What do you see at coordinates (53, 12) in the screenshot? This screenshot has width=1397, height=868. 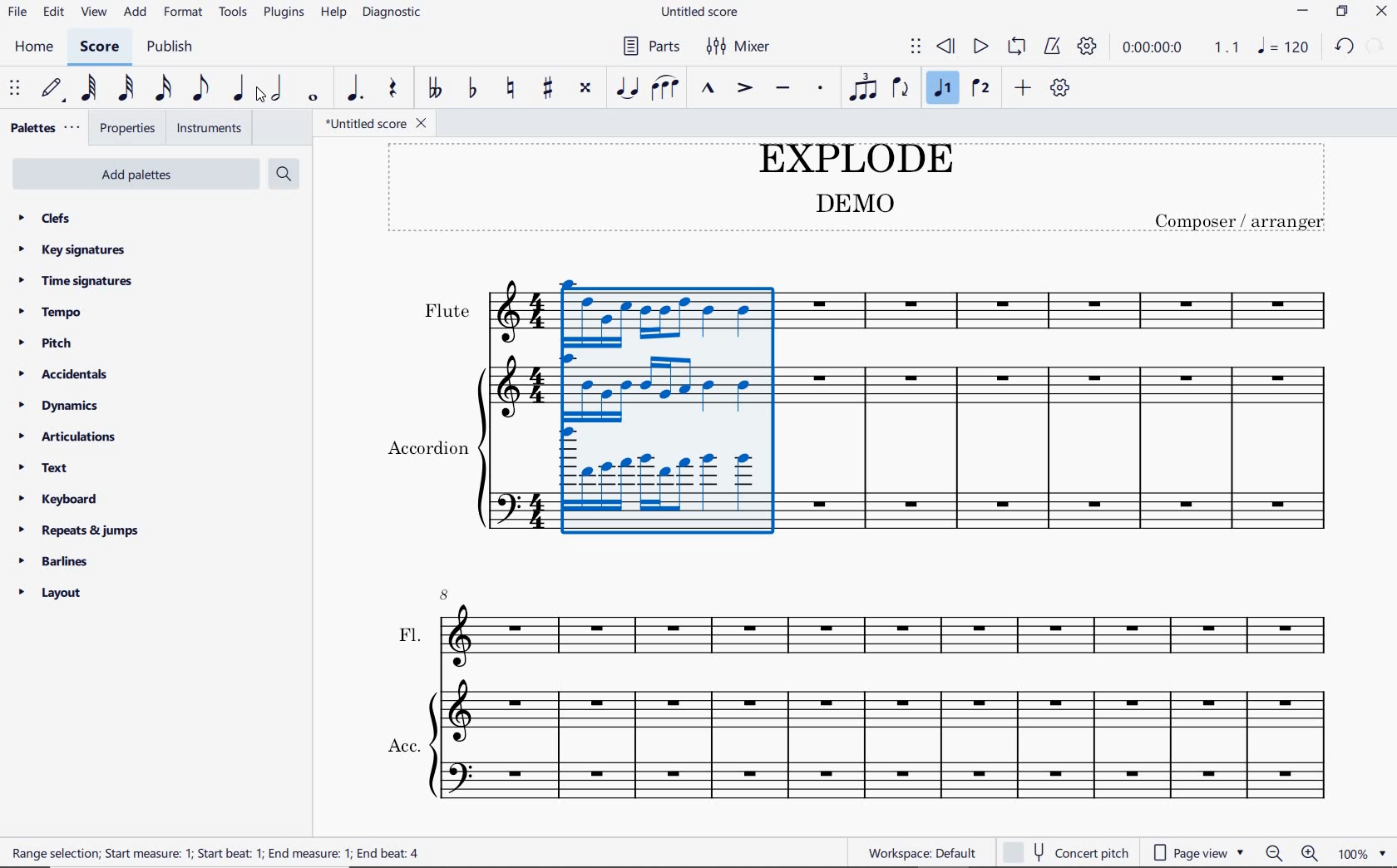 I see `edit` at bounding box center [53, 12].